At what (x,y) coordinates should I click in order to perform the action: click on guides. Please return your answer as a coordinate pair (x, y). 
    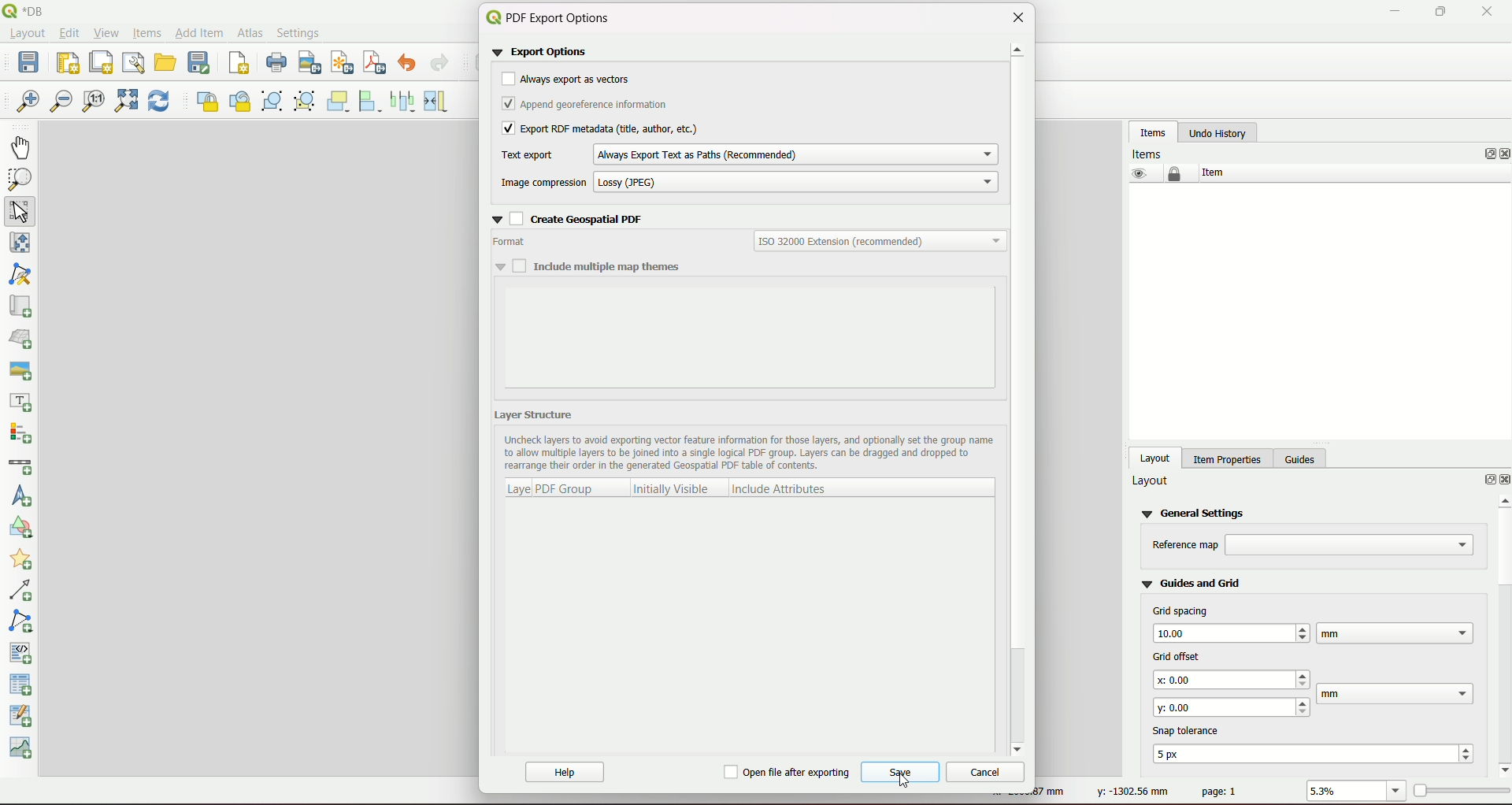
    Looking at the image, I should click on (1303, 457).